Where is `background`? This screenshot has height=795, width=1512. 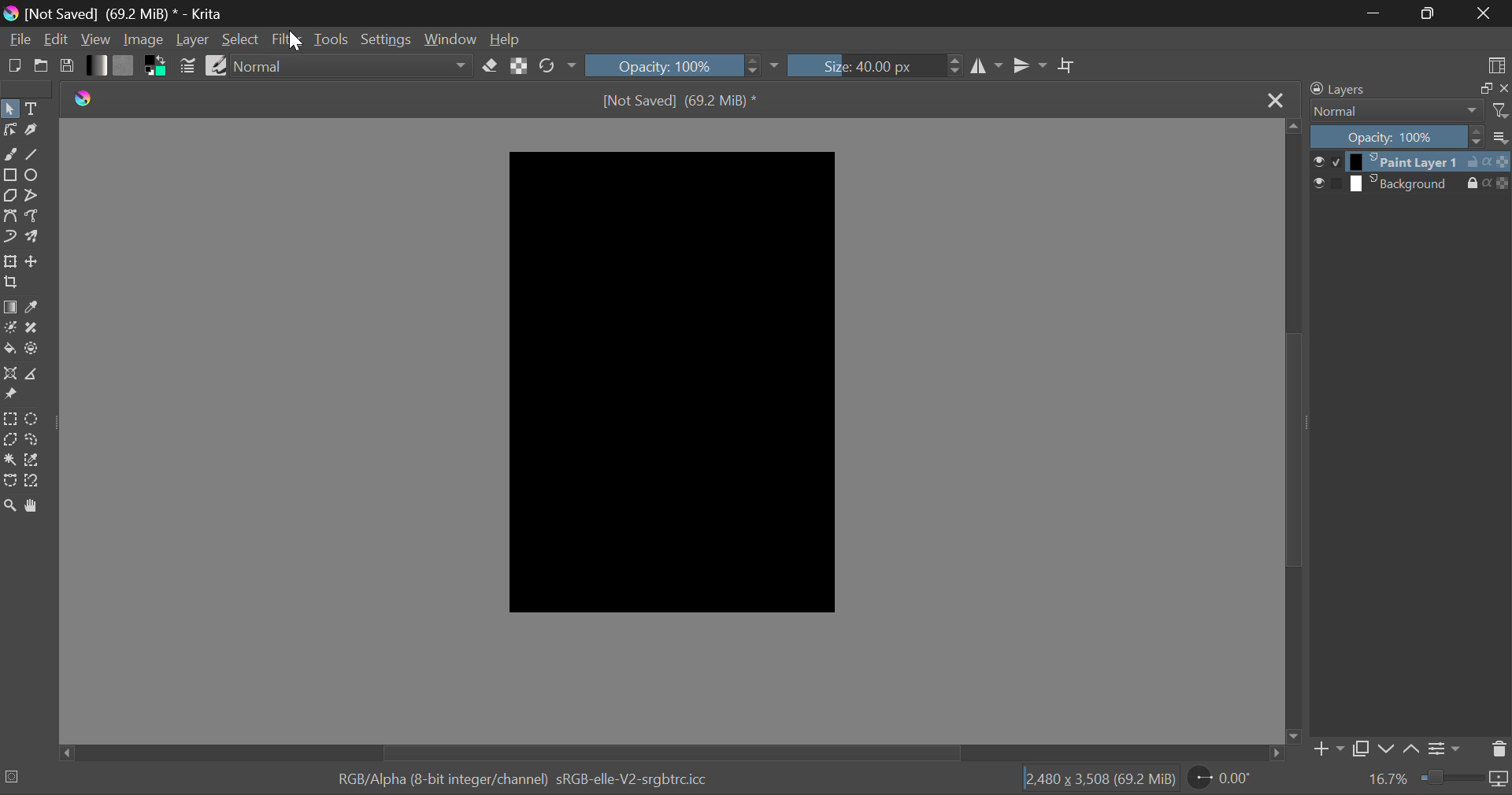
background is located at coordinates (1401, 183).